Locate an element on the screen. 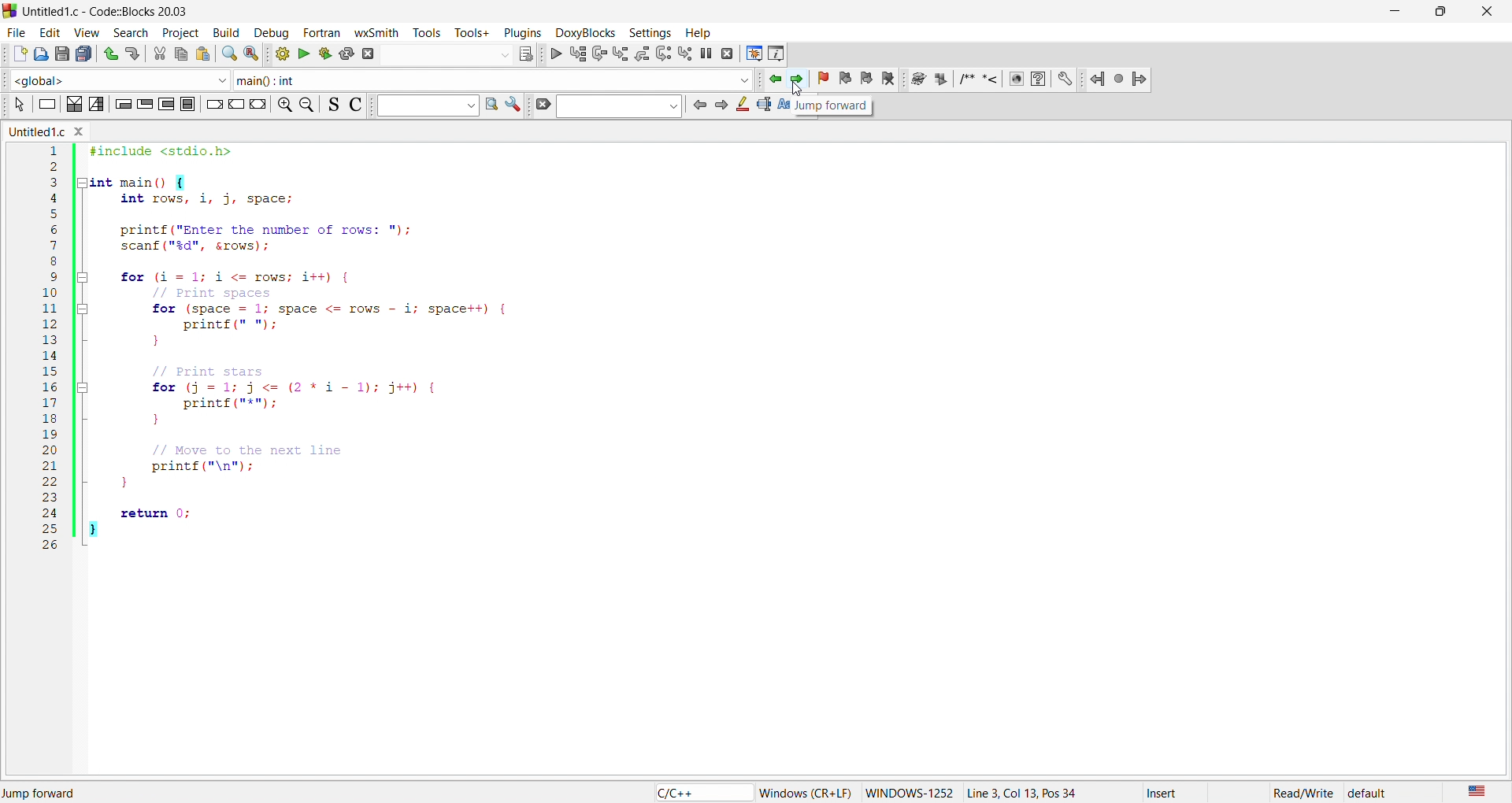 Image resolution: width=1512 pixels, height=803 pixels. jump back is located at coordinates (35, 792).